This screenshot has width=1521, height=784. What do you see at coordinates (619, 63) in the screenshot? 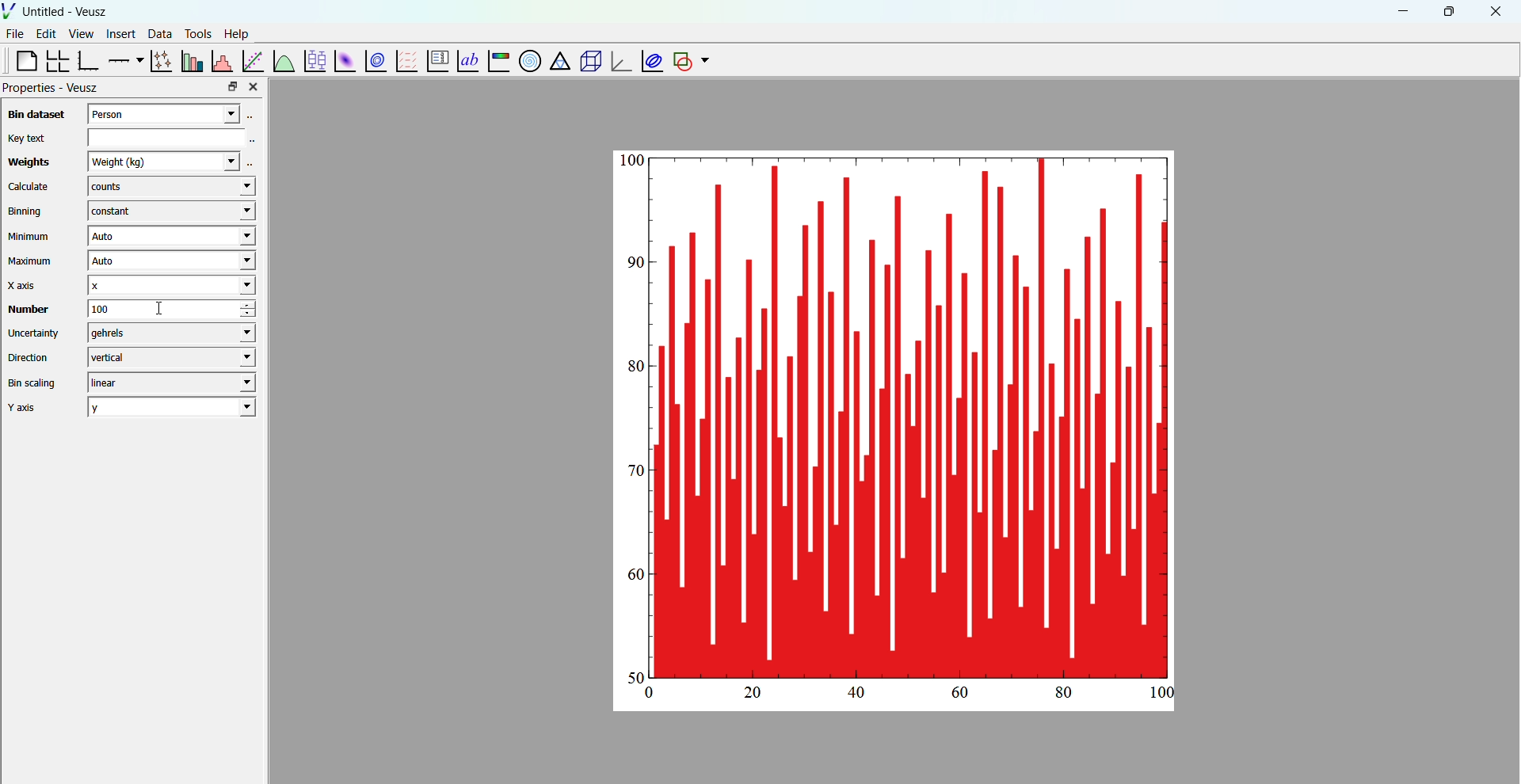
I see `3d graph` at bounding box center [619, 63].